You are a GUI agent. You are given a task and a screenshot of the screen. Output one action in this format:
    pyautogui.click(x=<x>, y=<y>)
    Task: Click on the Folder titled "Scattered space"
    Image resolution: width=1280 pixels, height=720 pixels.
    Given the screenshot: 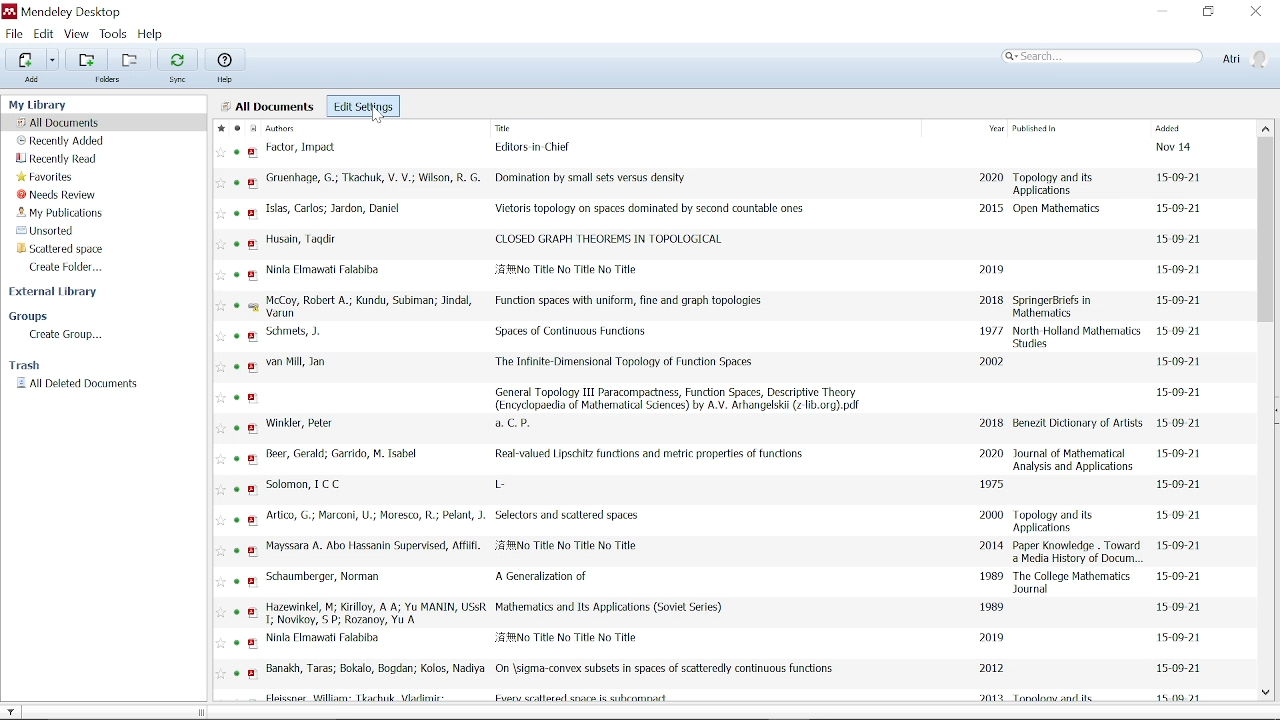 What is the action you would take?
    pyautogui.click(x=71, y=250)
    